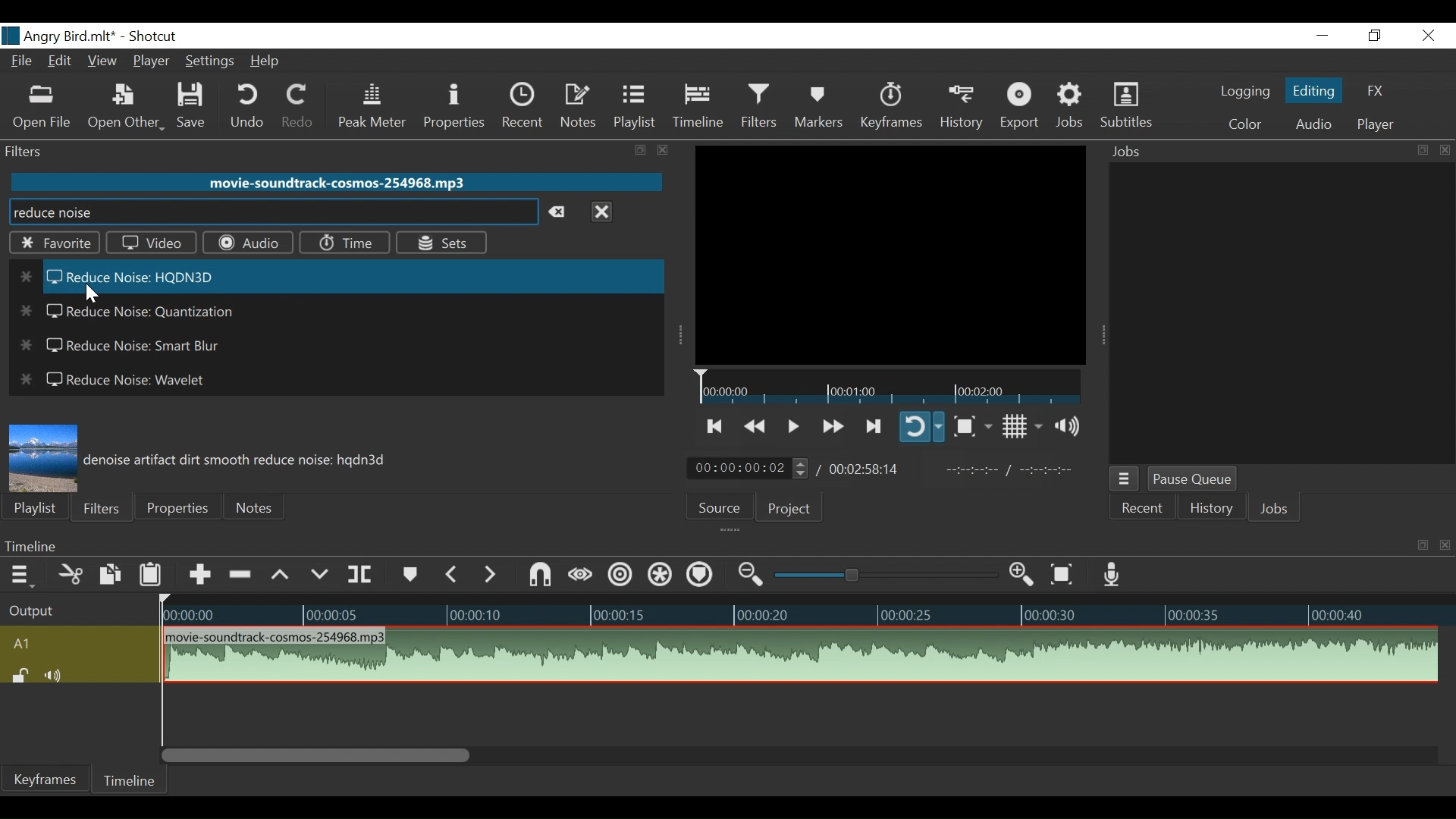 Image resolution: width=1456 pixels, height=819 pixels. I want to click on Clear search, so click(561, 213).